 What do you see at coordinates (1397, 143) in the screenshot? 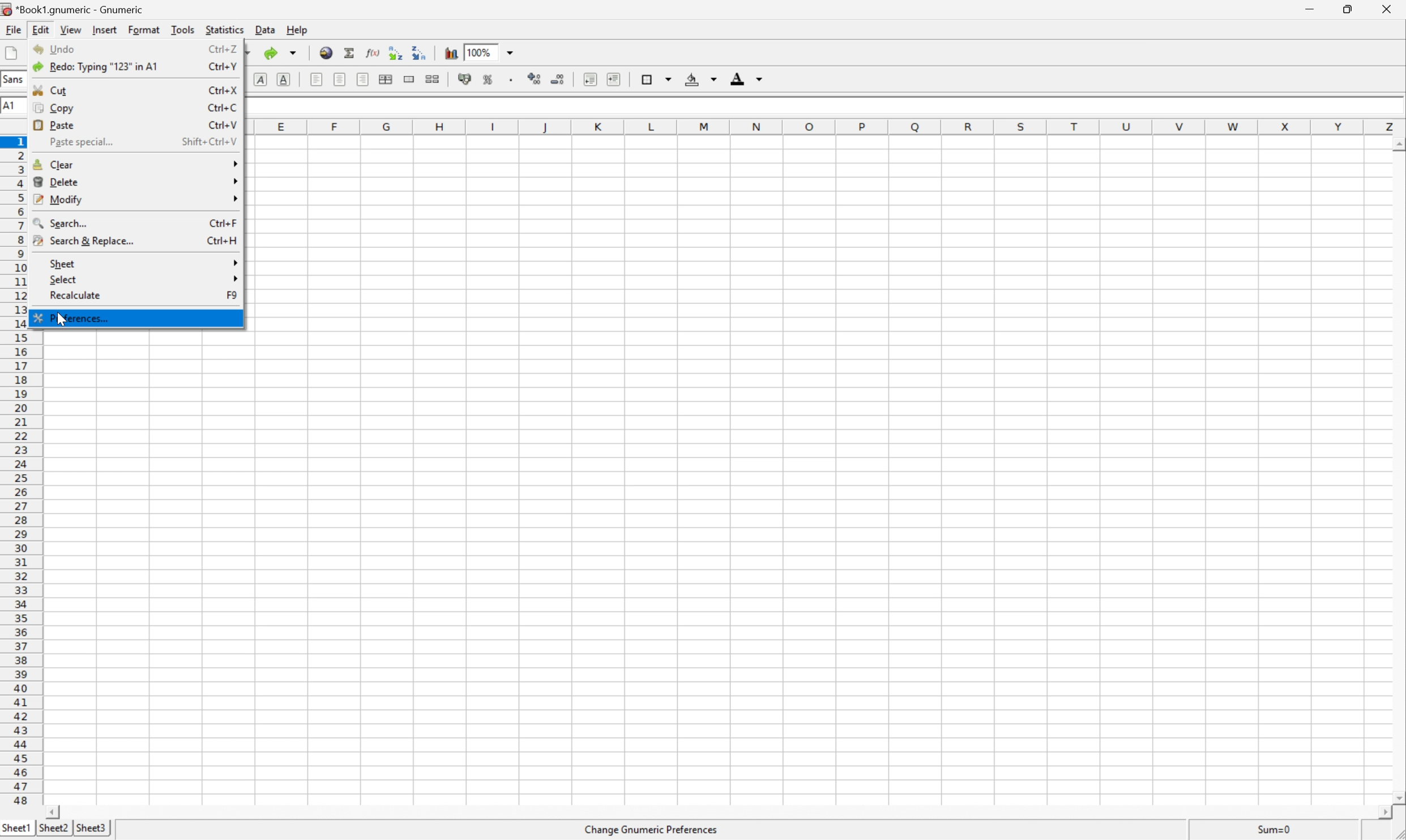
I see `scroll up` at bounding box center [1397, 143].